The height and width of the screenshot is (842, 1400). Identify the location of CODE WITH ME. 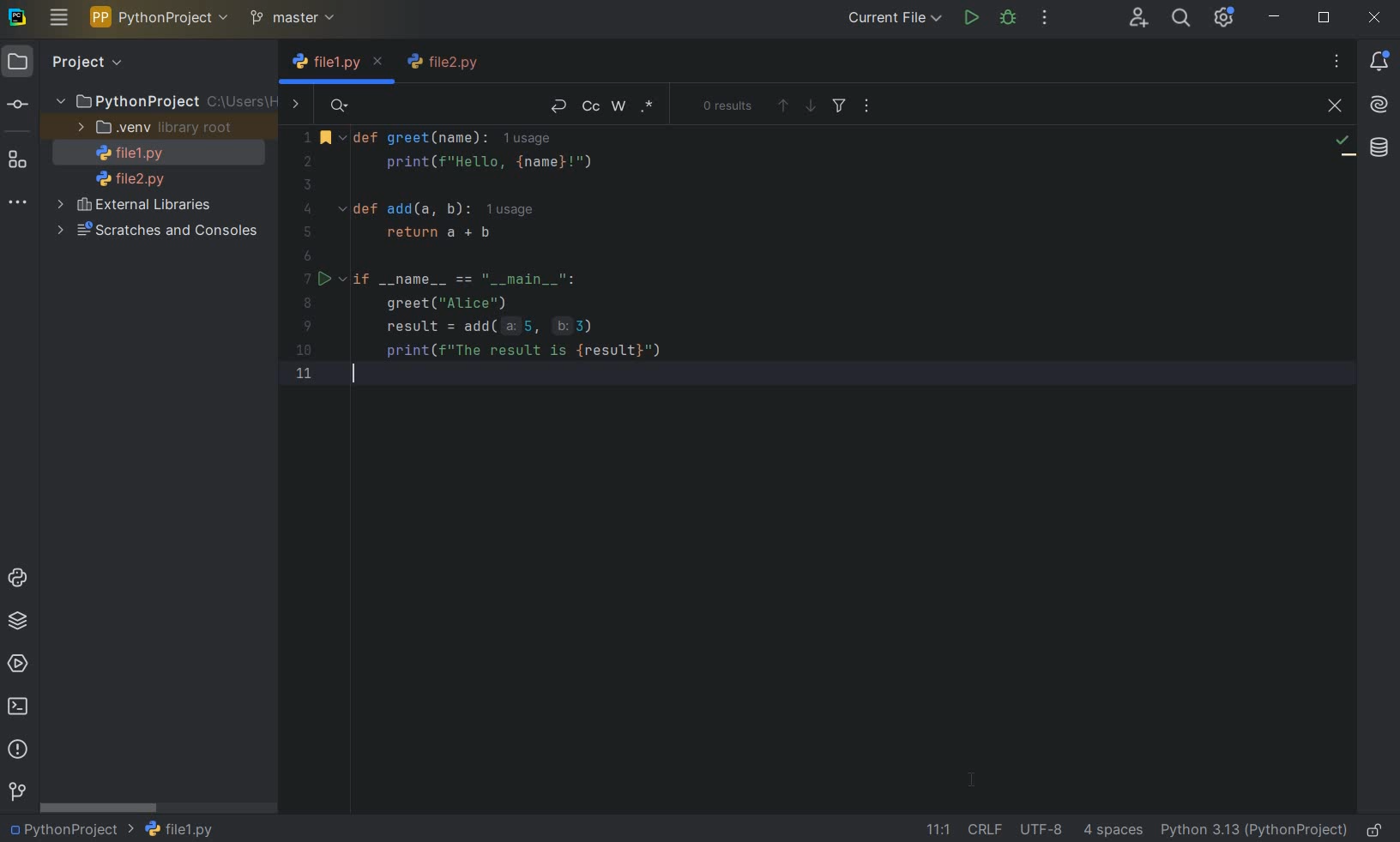
(1137, 17).